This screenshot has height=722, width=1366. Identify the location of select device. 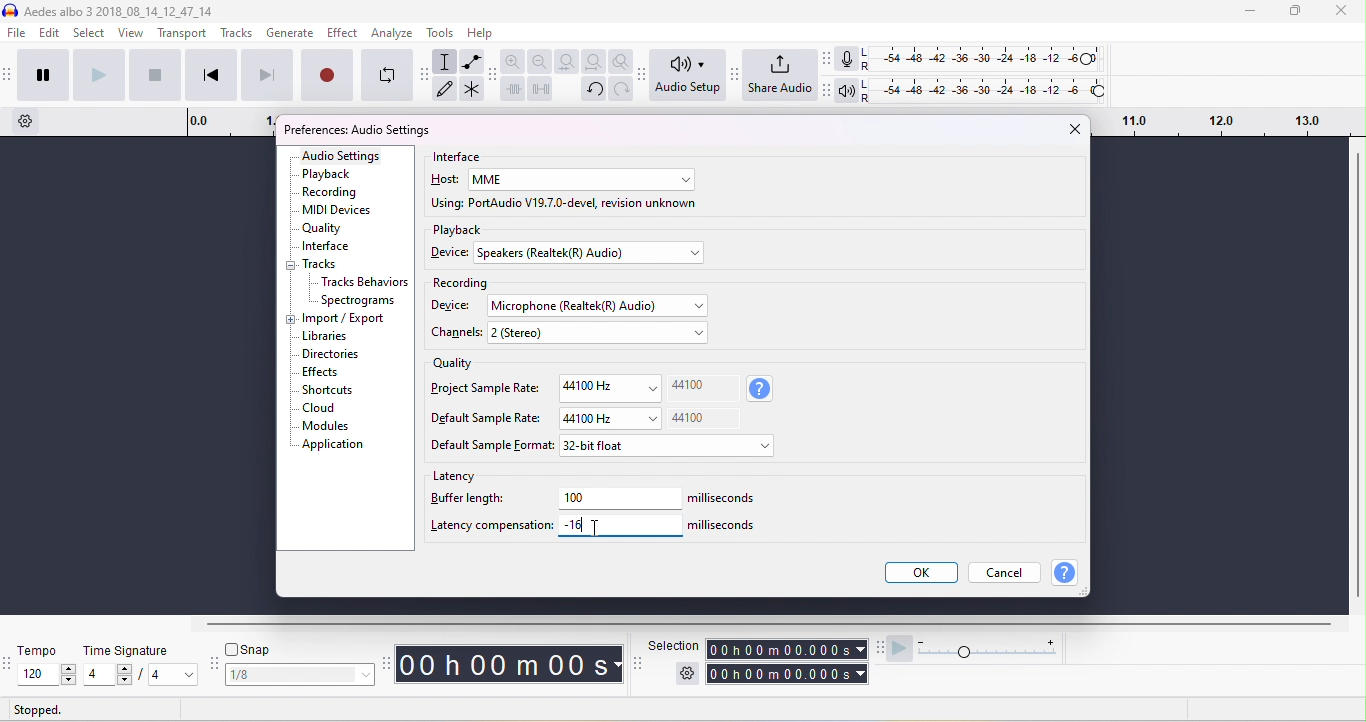
(590, 254).